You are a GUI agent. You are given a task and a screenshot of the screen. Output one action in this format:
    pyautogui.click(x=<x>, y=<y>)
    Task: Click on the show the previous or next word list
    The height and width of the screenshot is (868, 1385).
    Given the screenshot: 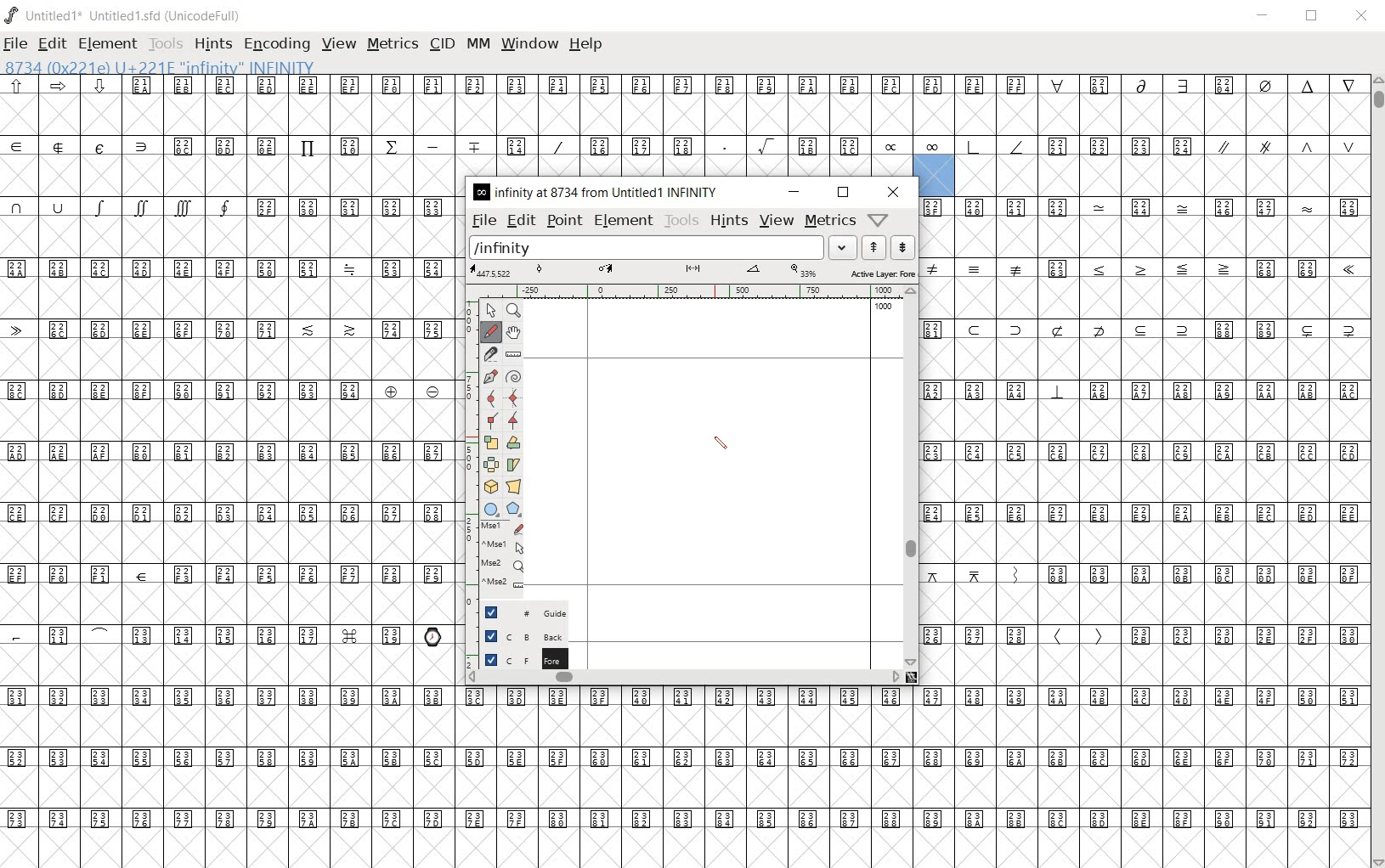 What is the action you would take?
    pyautogui.click(x=888, y=247)
    